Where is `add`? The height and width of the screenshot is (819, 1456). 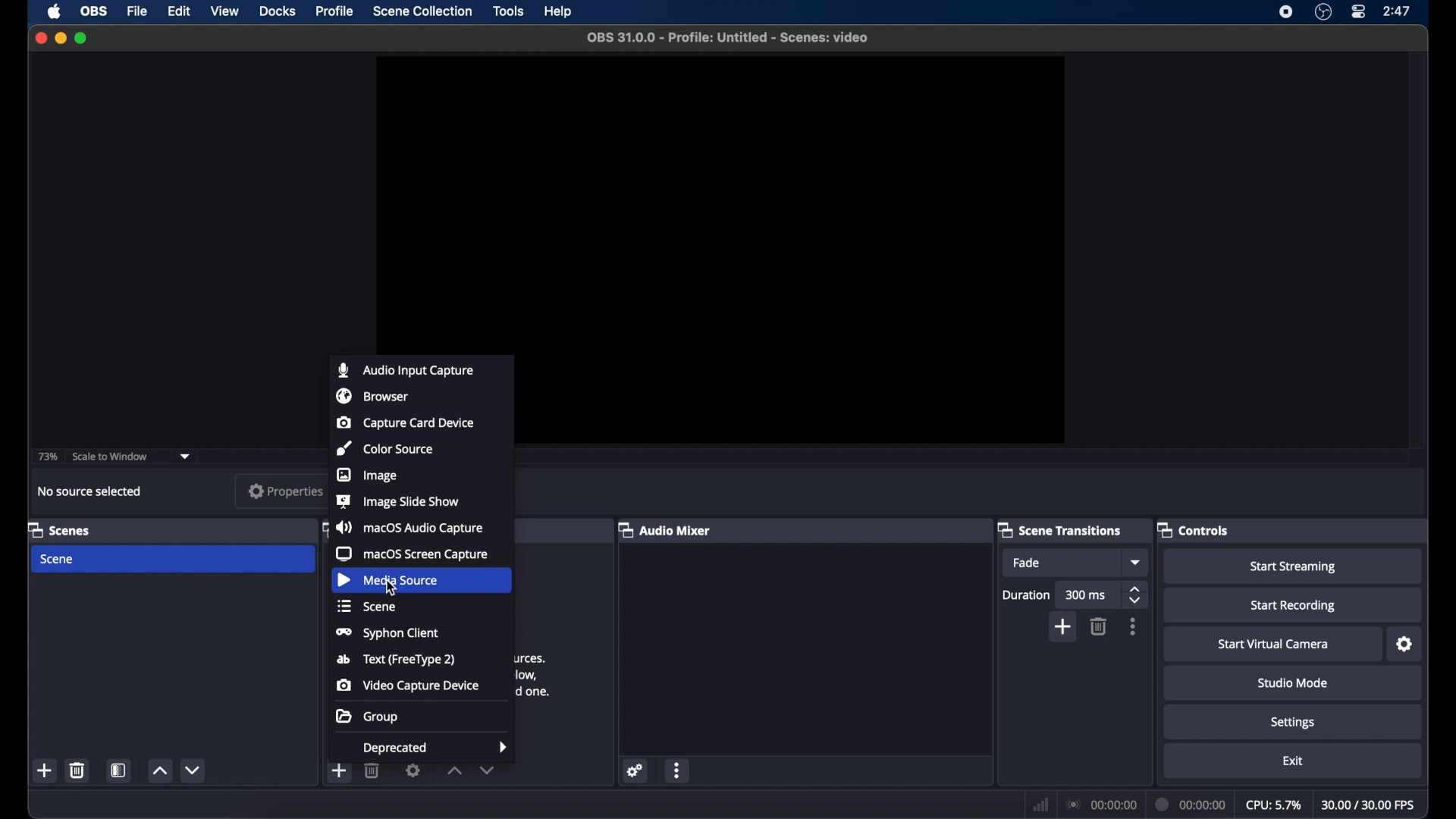
add is located at coordinates (1064, 626).